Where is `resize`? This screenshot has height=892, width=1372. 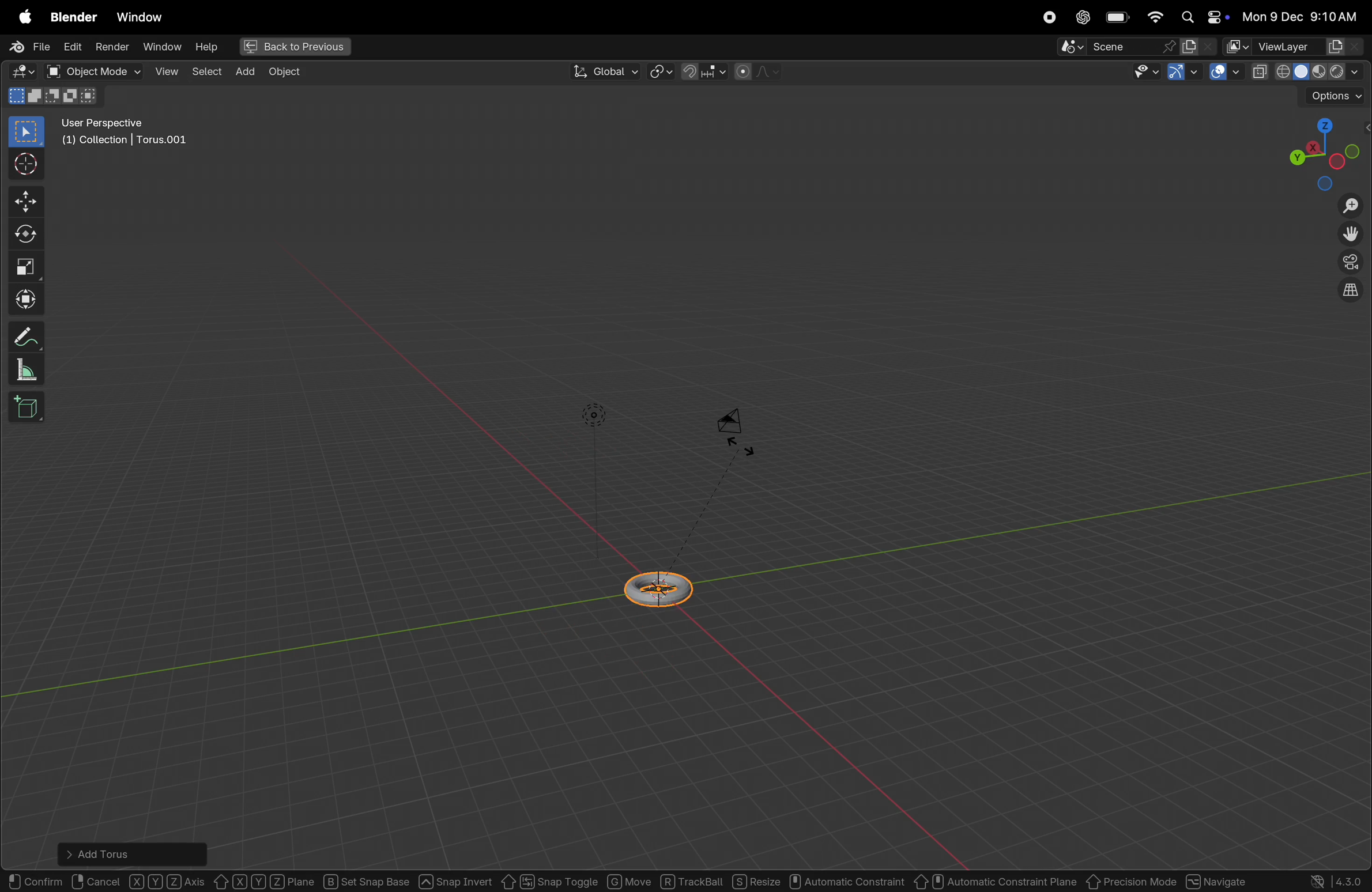
resize is located at coordinates (757, 882).